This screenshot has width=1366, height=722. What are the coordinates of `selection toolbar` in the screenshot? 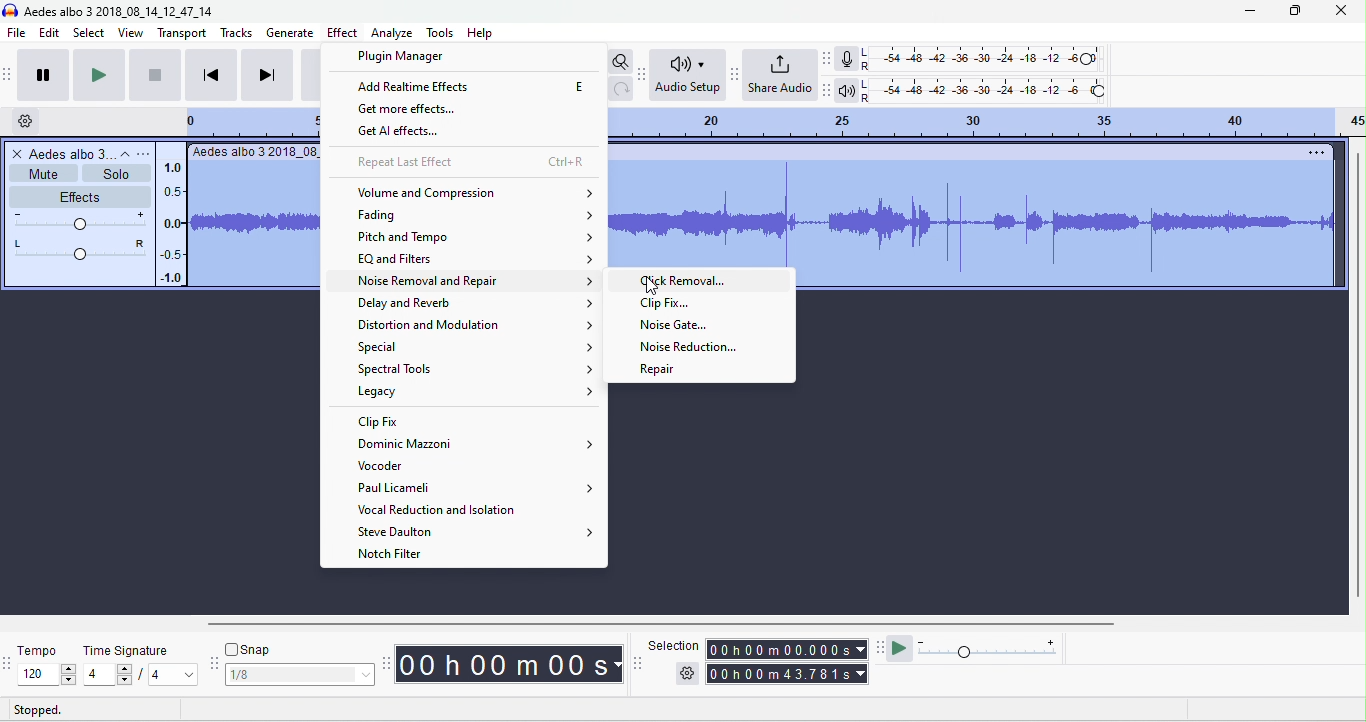 It's located at (640, 665).